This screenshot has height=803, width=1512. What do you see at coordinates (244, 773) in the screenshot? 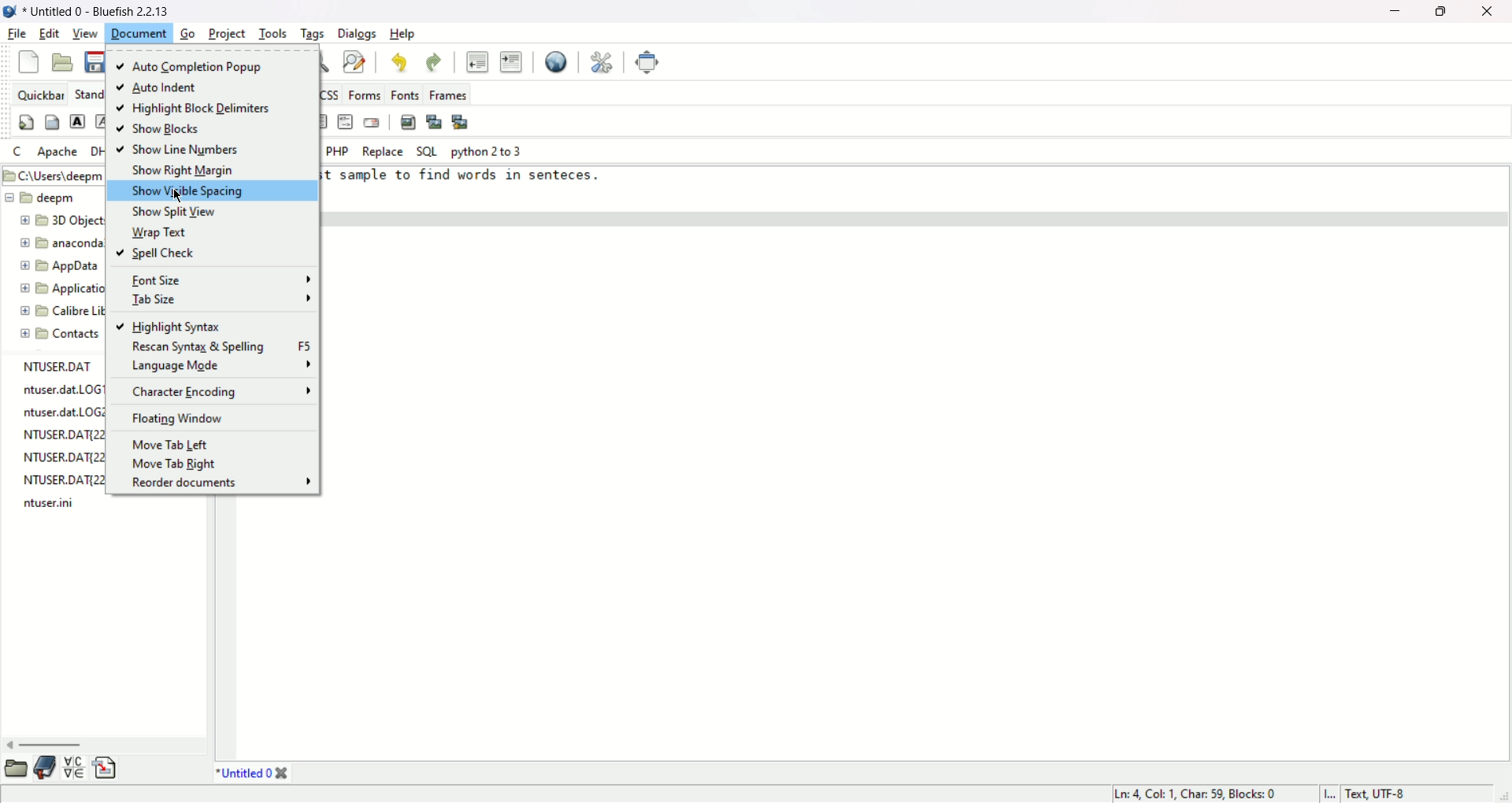
I see `*Untitled 0` at bounding box center [244, 773].